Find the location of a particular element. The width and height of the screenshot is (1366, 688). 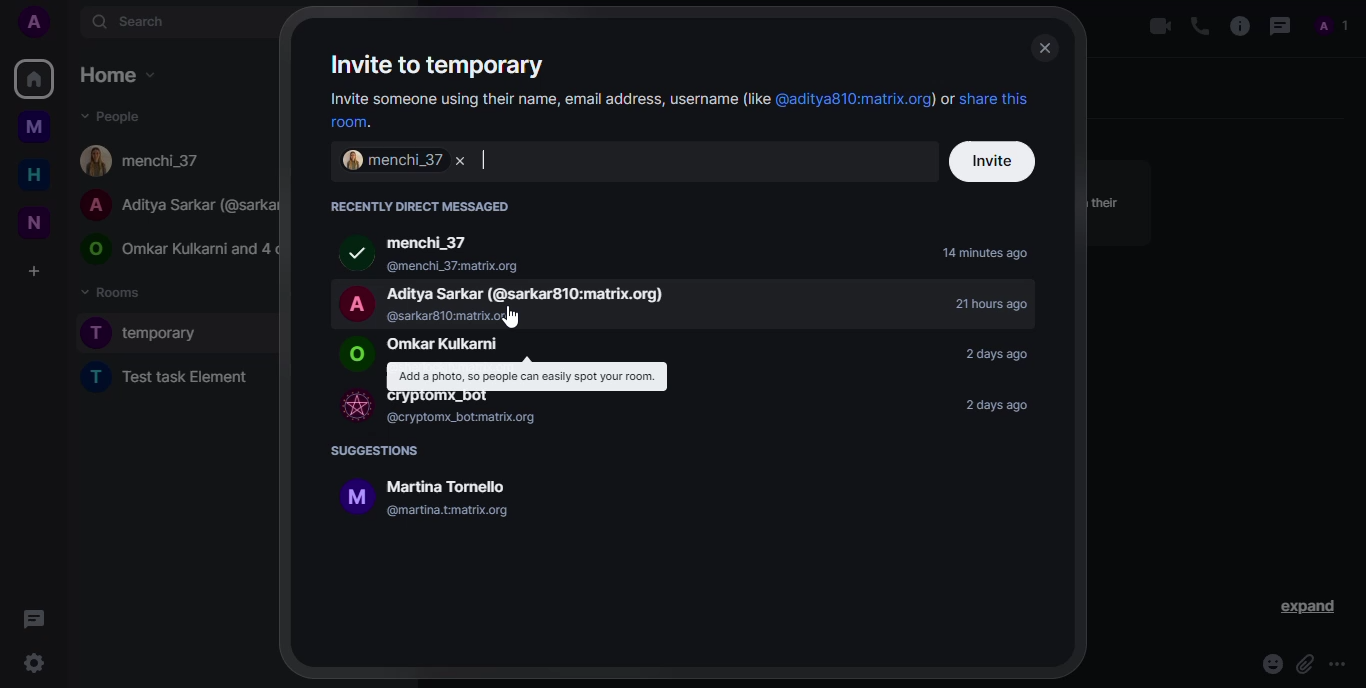

menchi_7 is located at coordinates (388, 161).